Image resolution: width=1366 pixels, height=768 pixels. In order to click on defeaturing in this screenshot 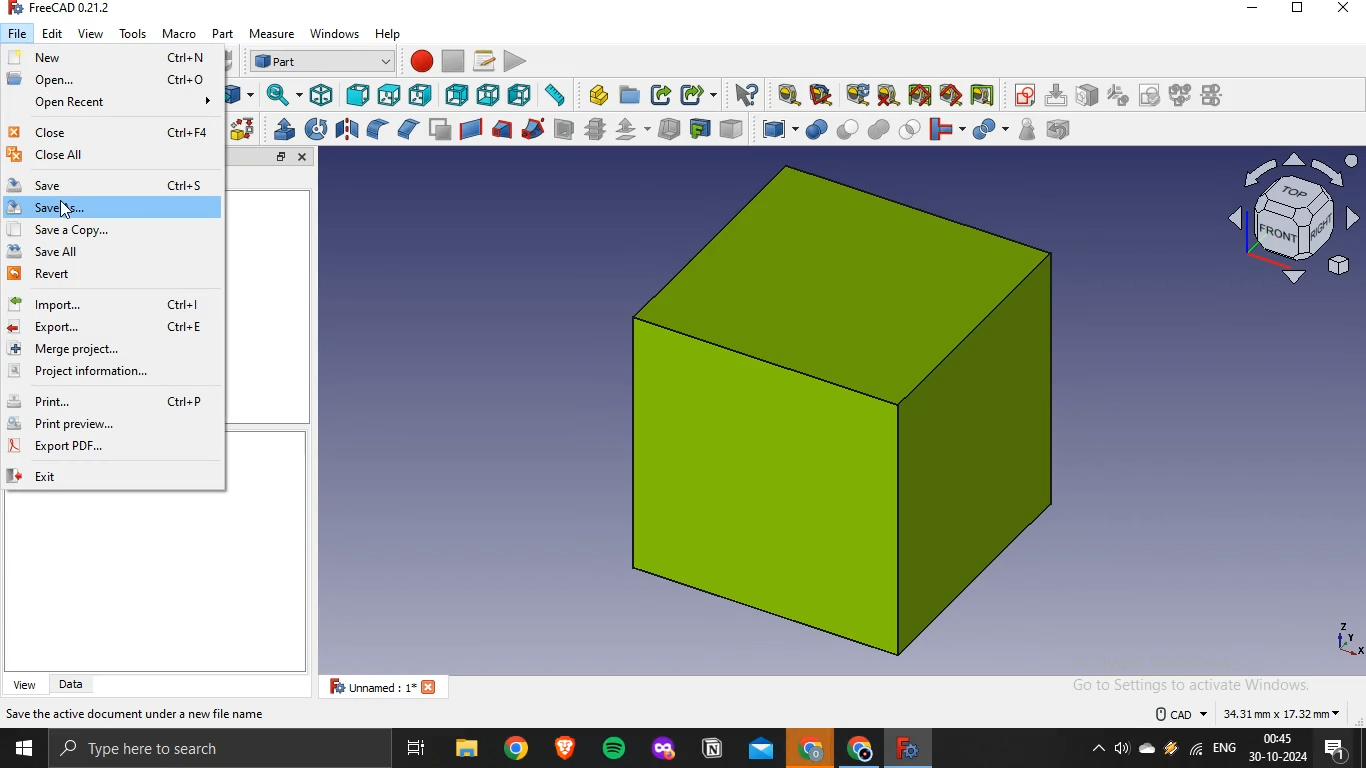, I will do `click(1061, 130)`.